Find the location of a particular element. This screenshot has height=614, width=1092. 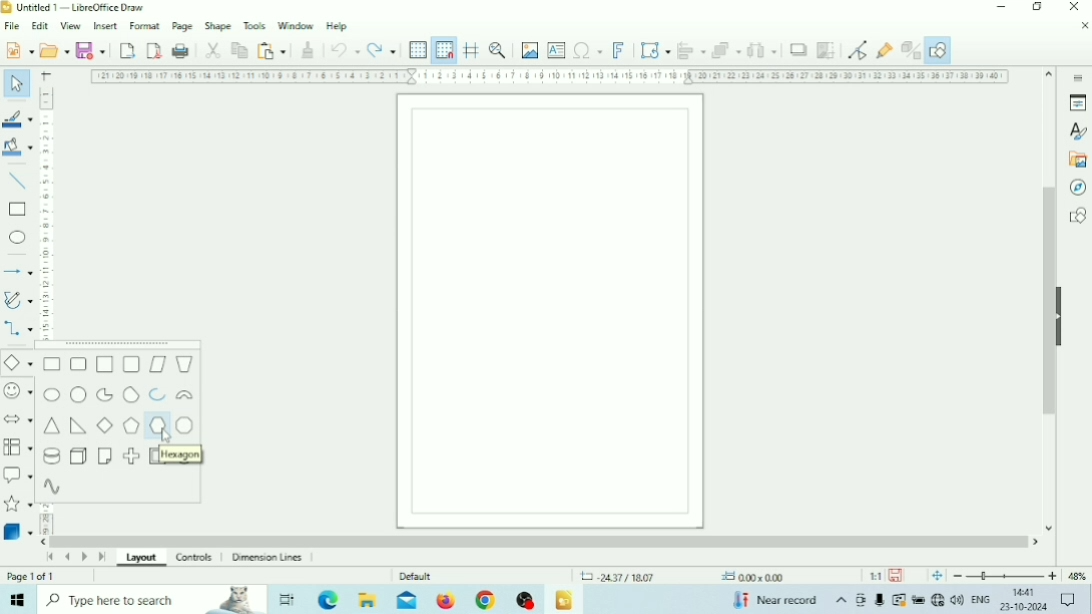

Parallelogram is located at coordinates (157, 364).